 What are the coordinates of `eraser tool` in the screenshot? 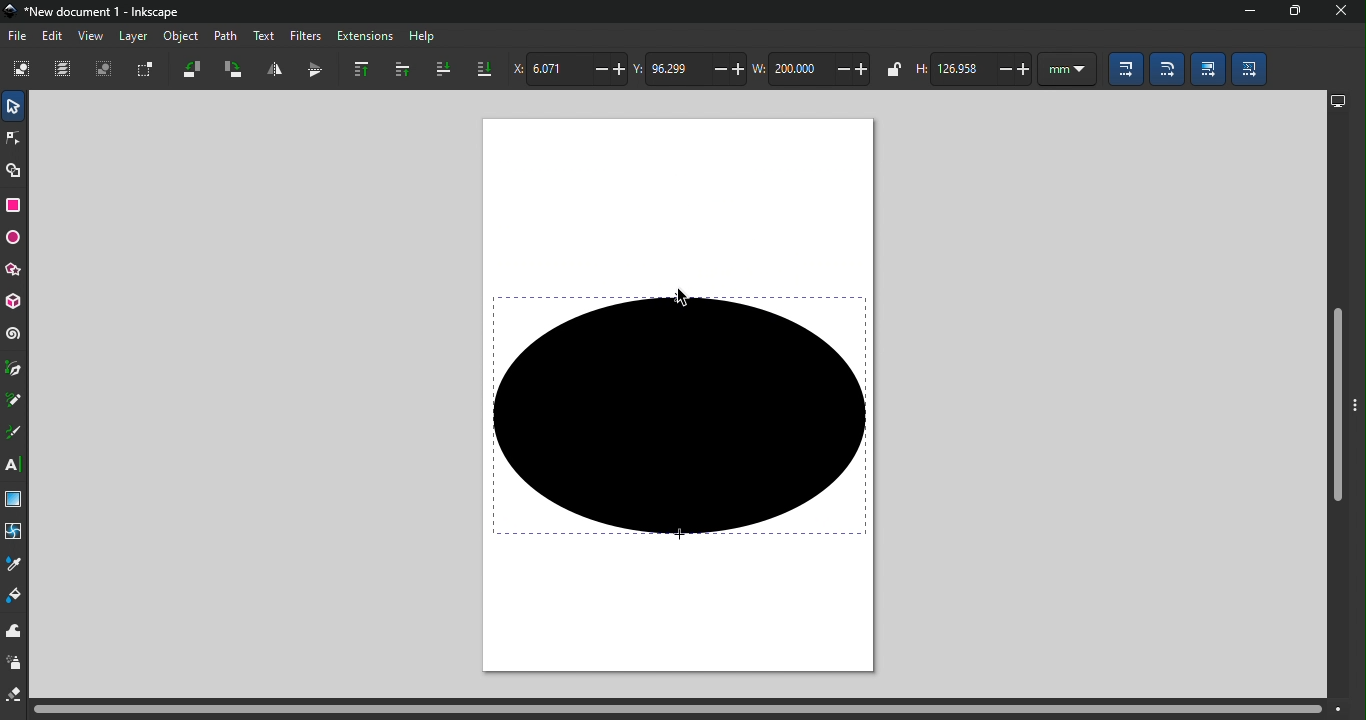 It's located at (15, 696).